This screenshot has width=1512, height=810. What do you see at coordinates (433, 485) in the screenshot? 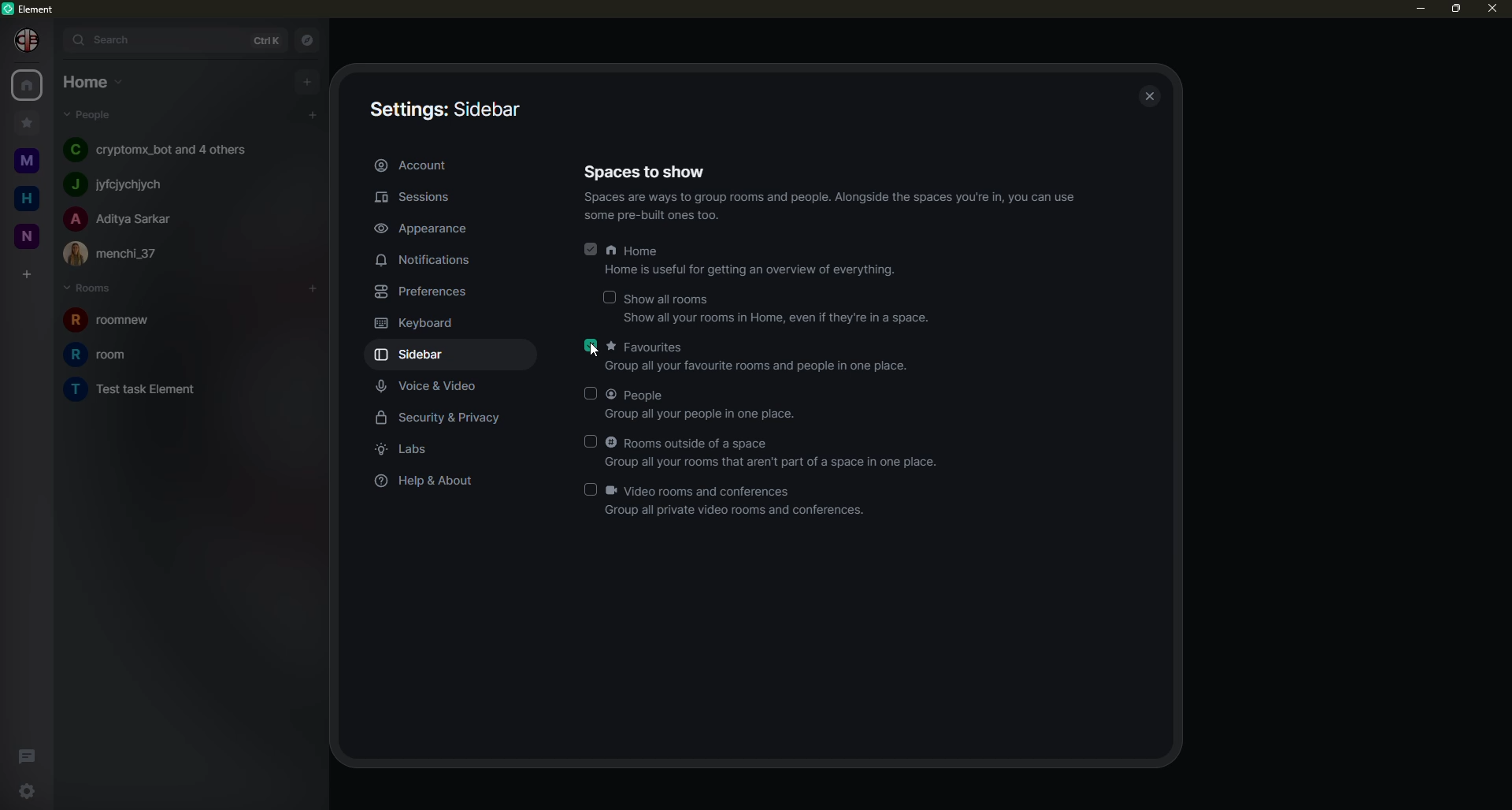
I see `help & about` at bounding box center [433, 485].